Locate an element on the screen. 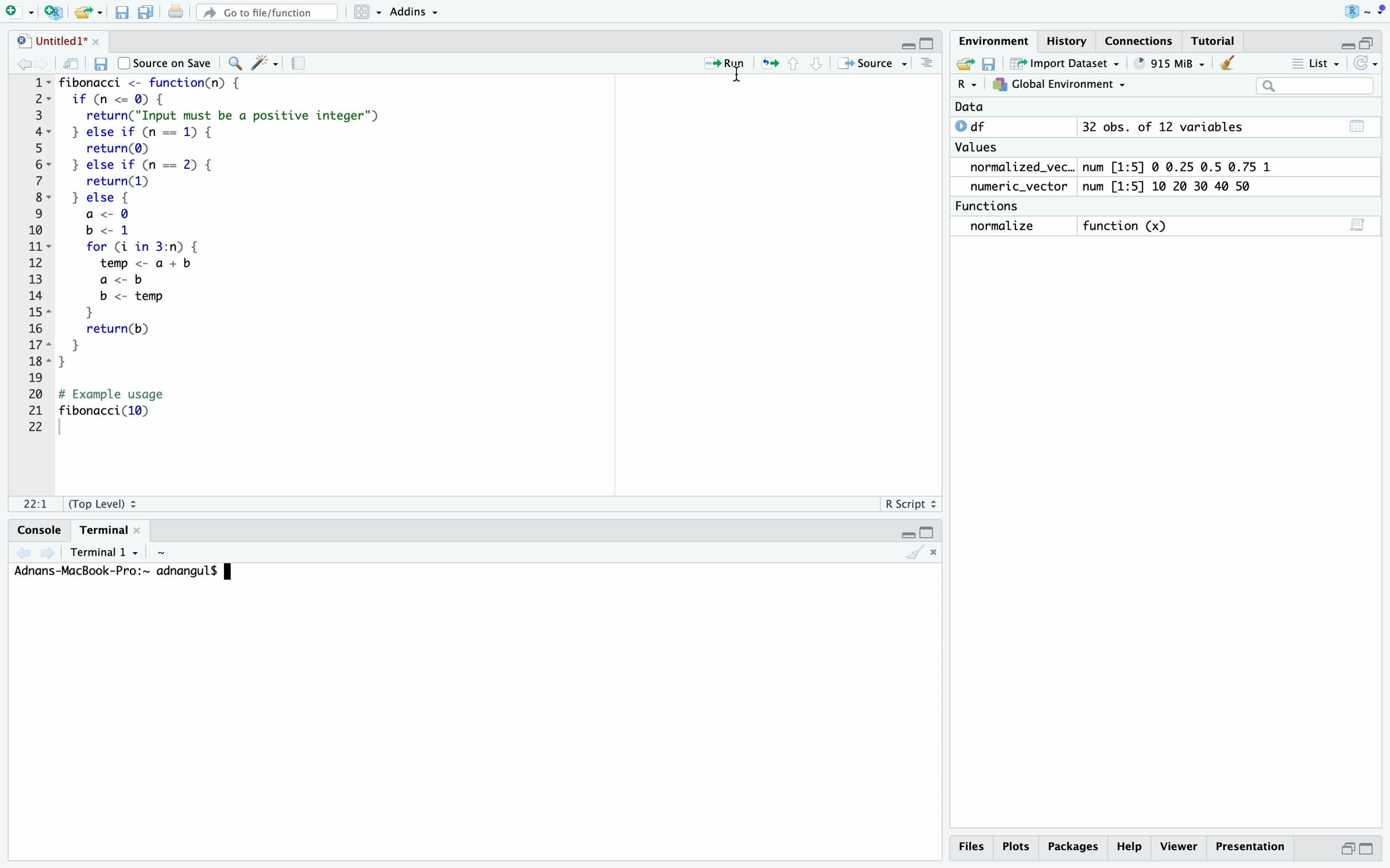 The height and width of the screenshot is (868, 1390). go to next section/chunk is located at coordinates (820, 67).